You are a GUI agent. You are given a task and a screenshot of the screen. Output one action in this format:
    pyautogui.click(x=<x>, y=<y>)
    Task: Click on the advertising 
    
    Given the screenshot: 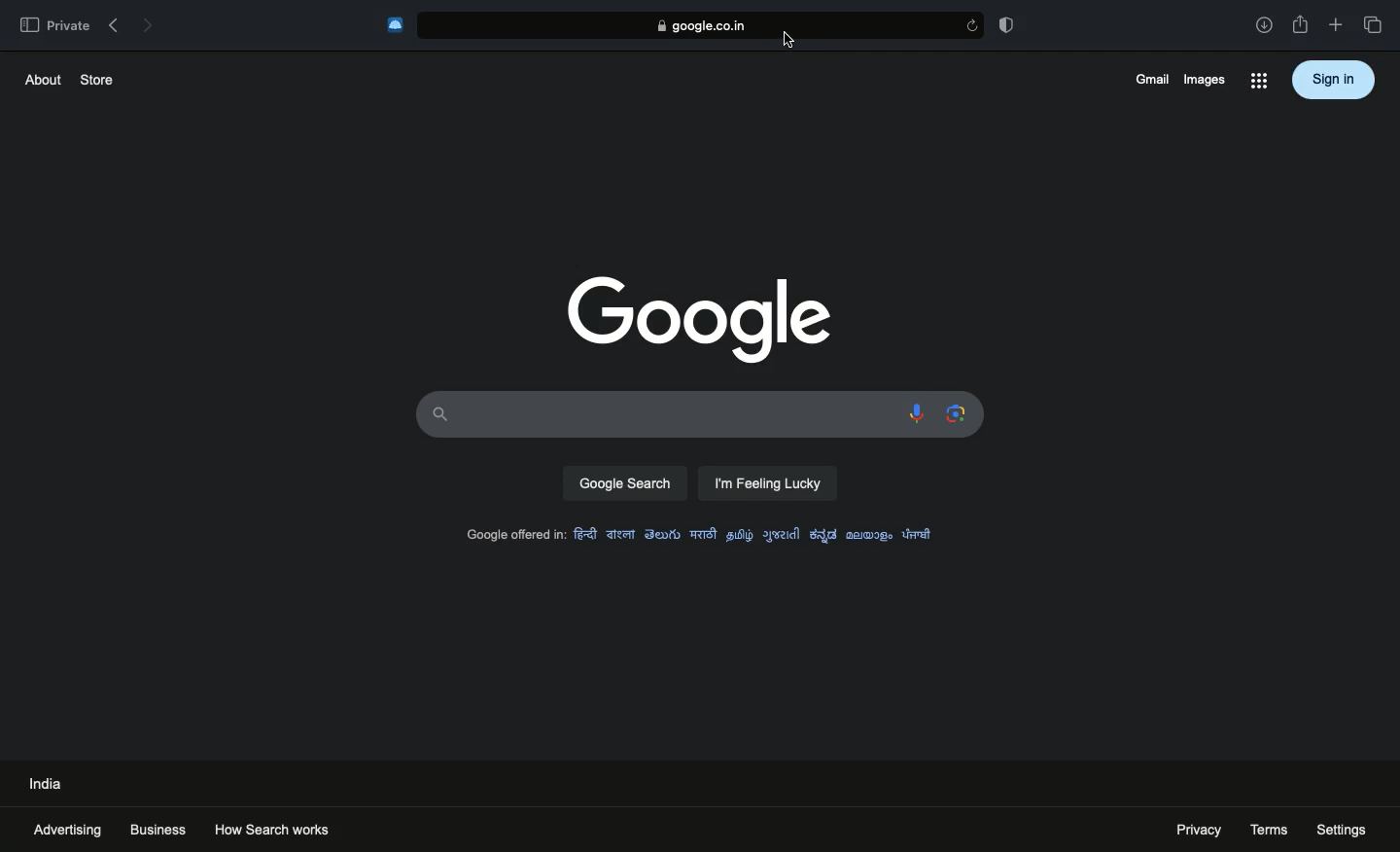 What is the action you would take?
    pyautogui.click(x=70, y=829)
    